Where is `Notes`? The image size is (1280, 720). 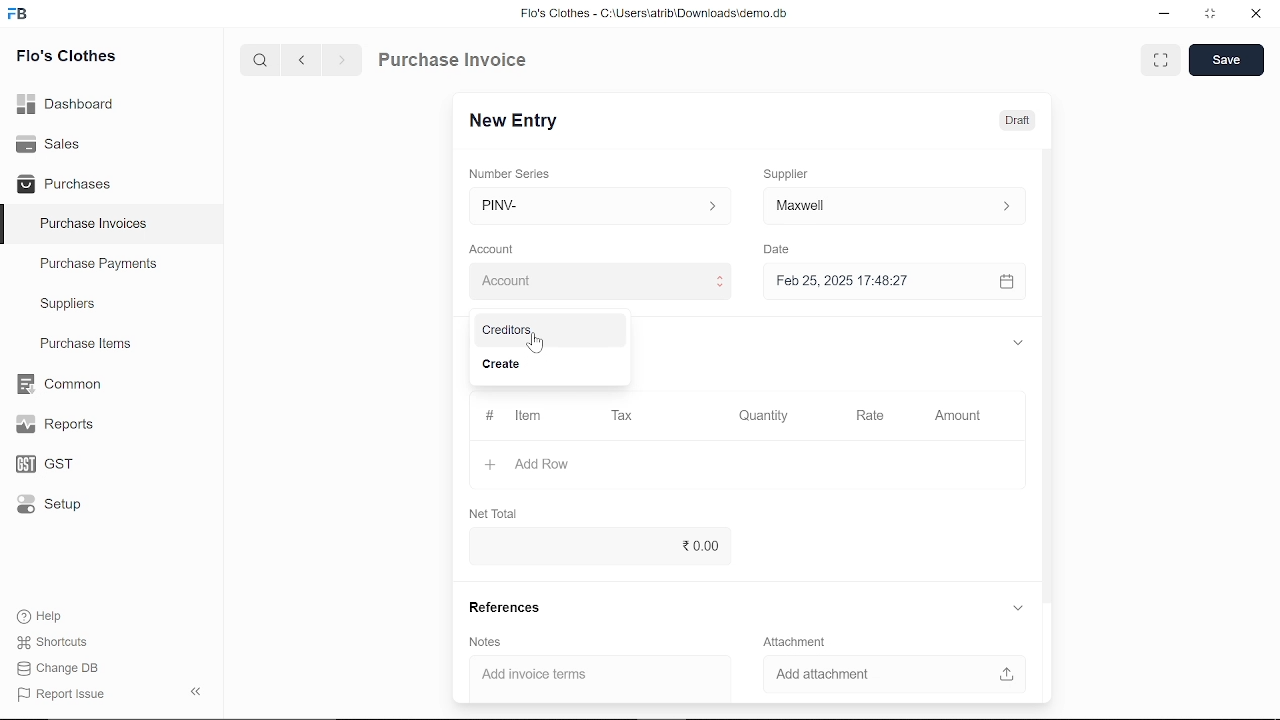
Notes is located at coordinates (487, 643).